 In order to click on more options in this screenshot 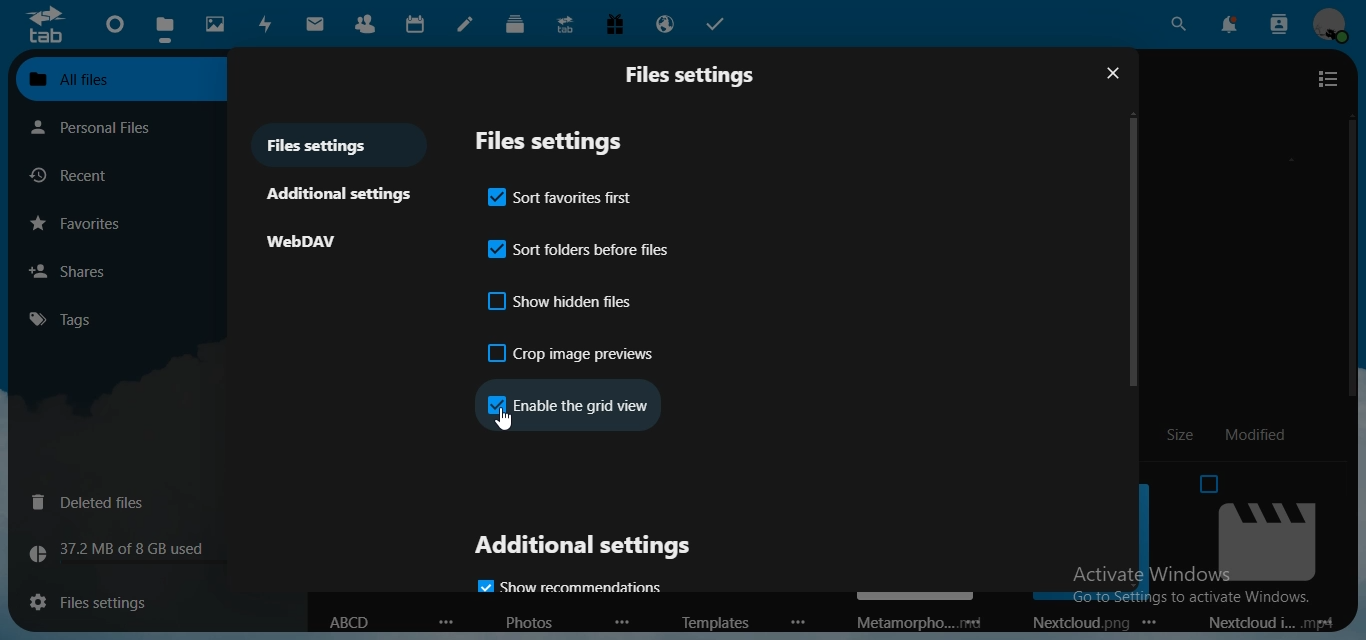, I will do `click(800, 622)`.